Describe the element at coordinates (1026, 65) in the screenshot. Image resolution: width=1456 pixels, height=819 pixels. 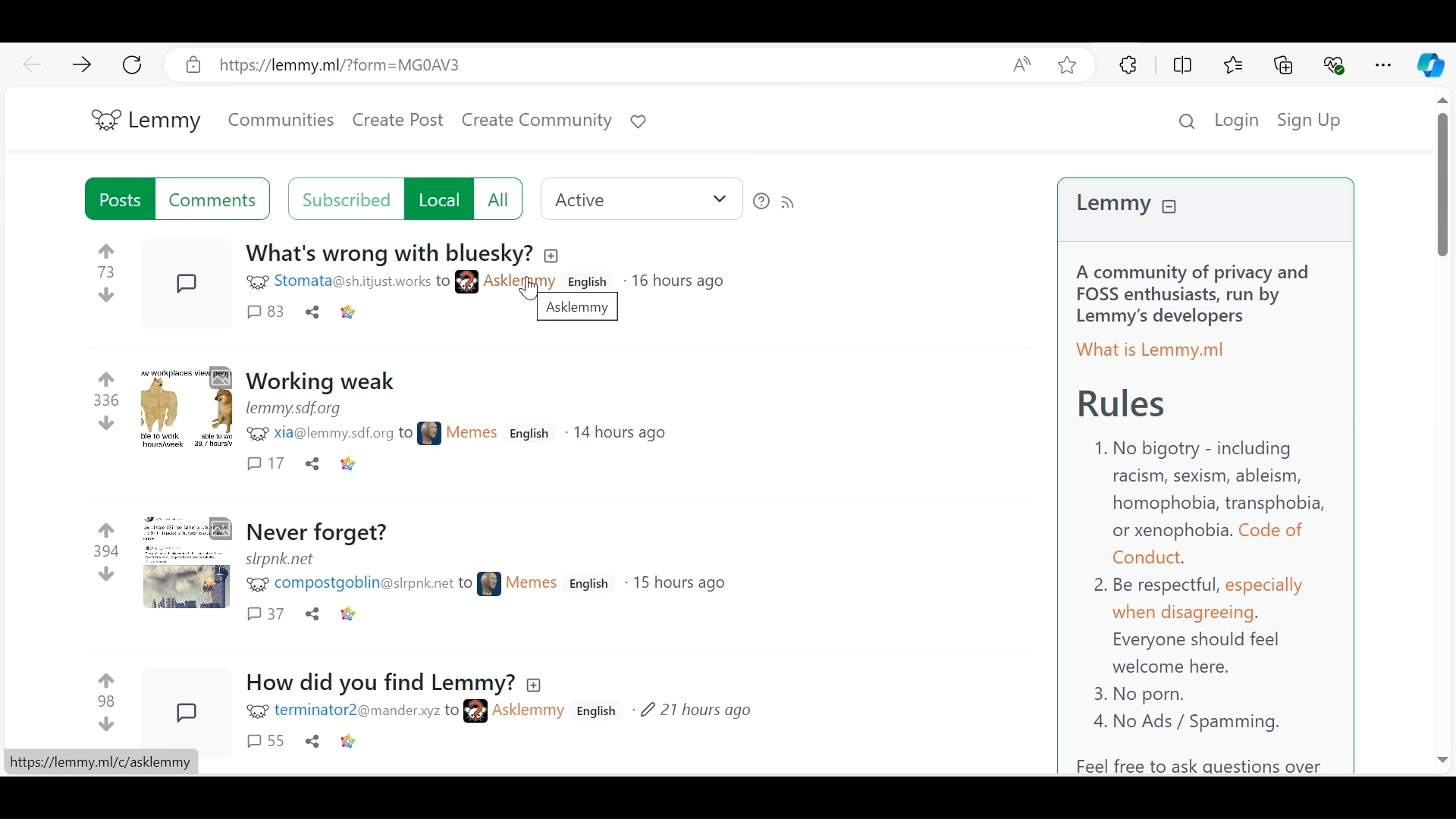
I see `Read aloud this page ` at that location.